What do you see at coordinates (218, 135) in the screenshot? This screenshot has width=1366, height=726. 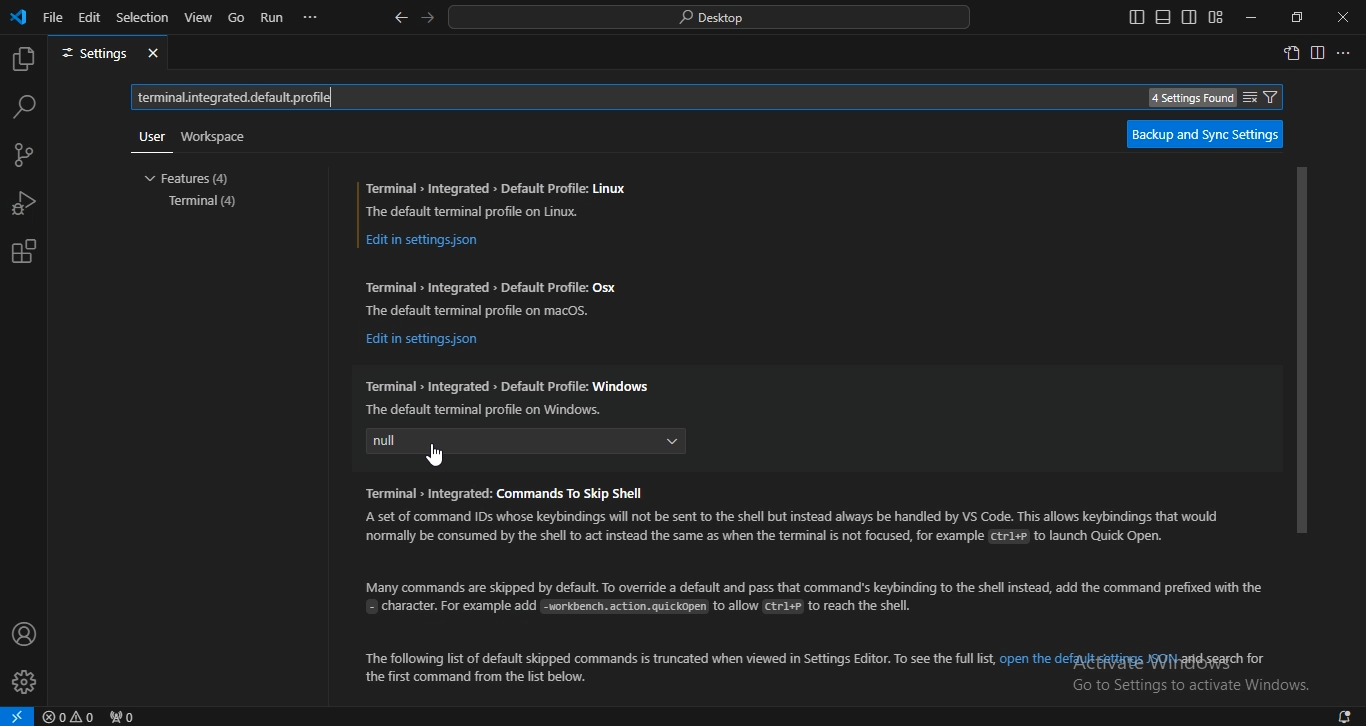 I see `workspace` at bounding box center [218, 135].